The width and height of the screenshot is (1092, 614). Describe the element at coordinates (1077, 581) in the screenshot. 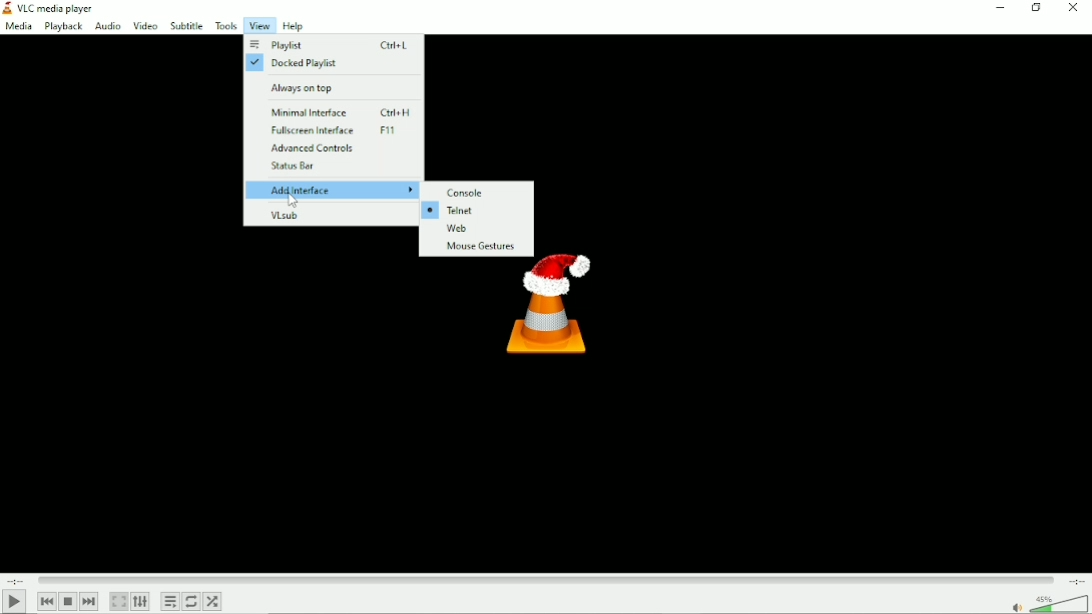

I see `Total duration` at that location.